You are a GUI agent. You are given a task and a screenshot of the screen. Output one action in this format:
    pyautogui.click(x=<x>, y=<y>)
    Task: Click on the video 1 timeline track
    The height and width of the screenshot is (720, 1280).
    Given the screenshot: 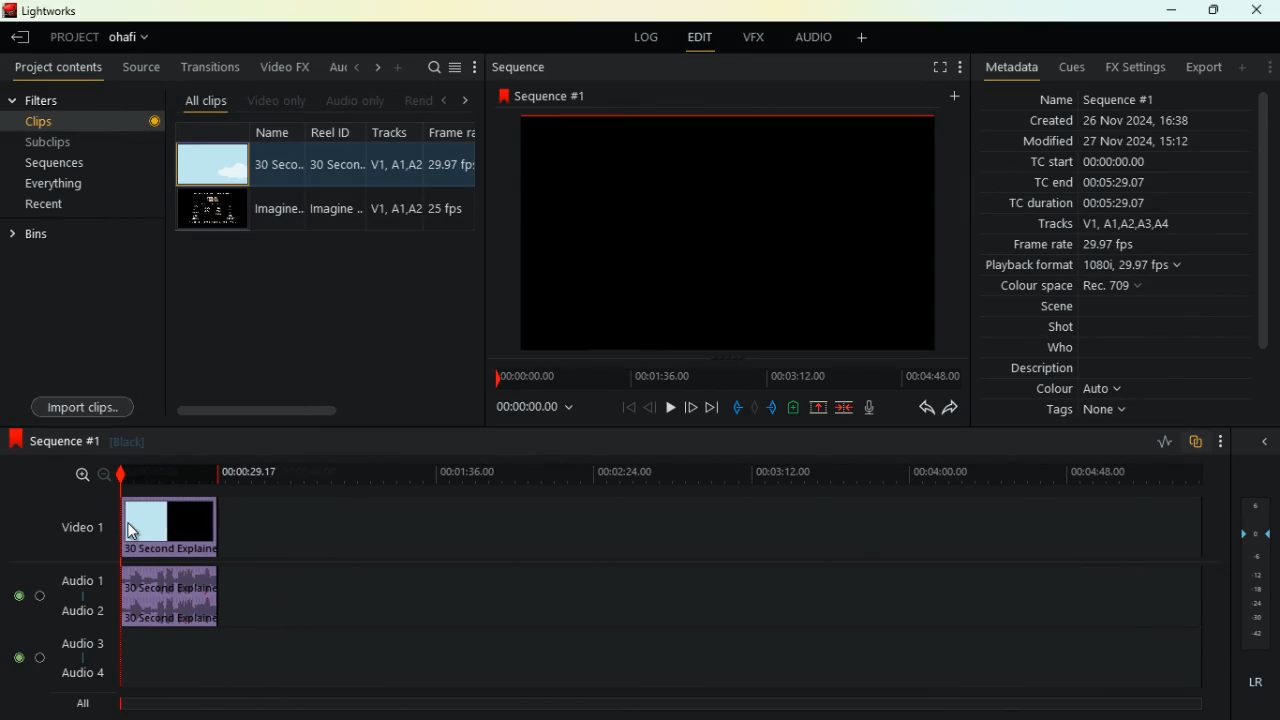 What is the action you would take?
    pyautogui.click(x=720, y=527)
    